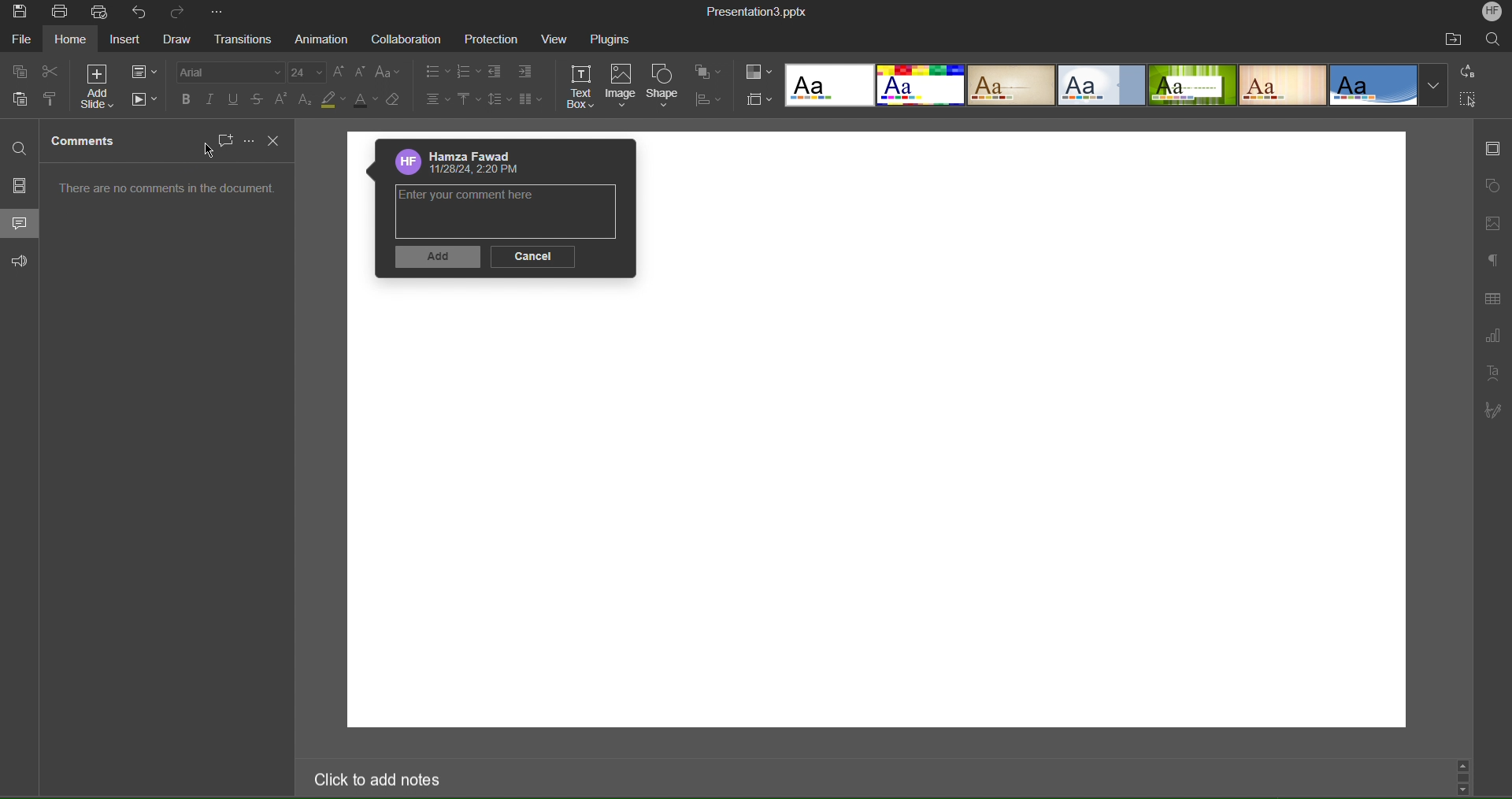 Image resolution: width=1512 pixels, height=799 pixels. Describe the element at coordinates (101, 13) in the screenshot. I see `Quick Print` at that location.